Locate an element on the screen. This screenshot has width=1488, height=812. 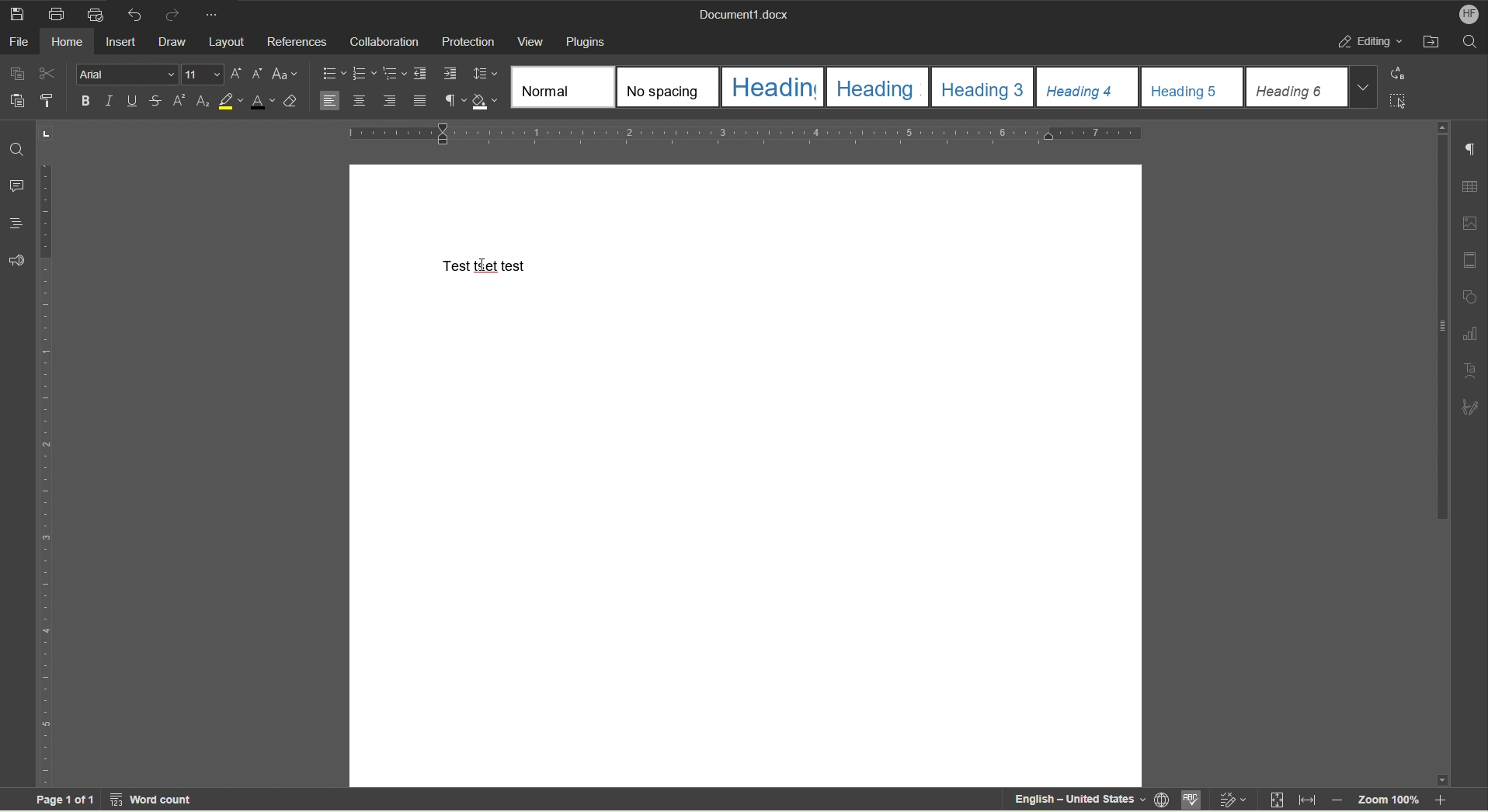
Superscript is located at coordinates (179, 102).